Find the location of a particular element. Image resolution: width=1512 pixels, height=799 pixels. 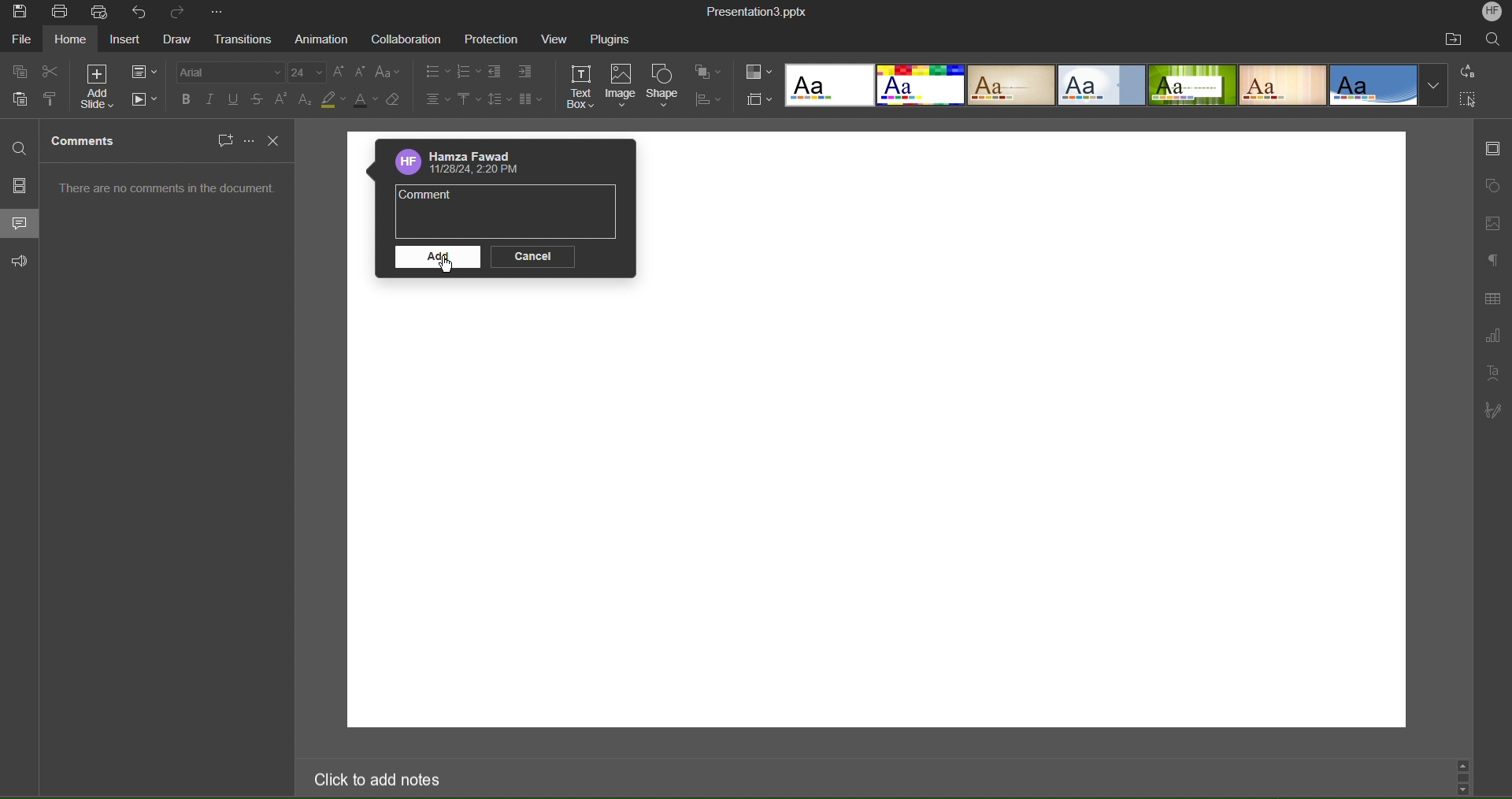

Highlight is located at coordinates (331, 101).